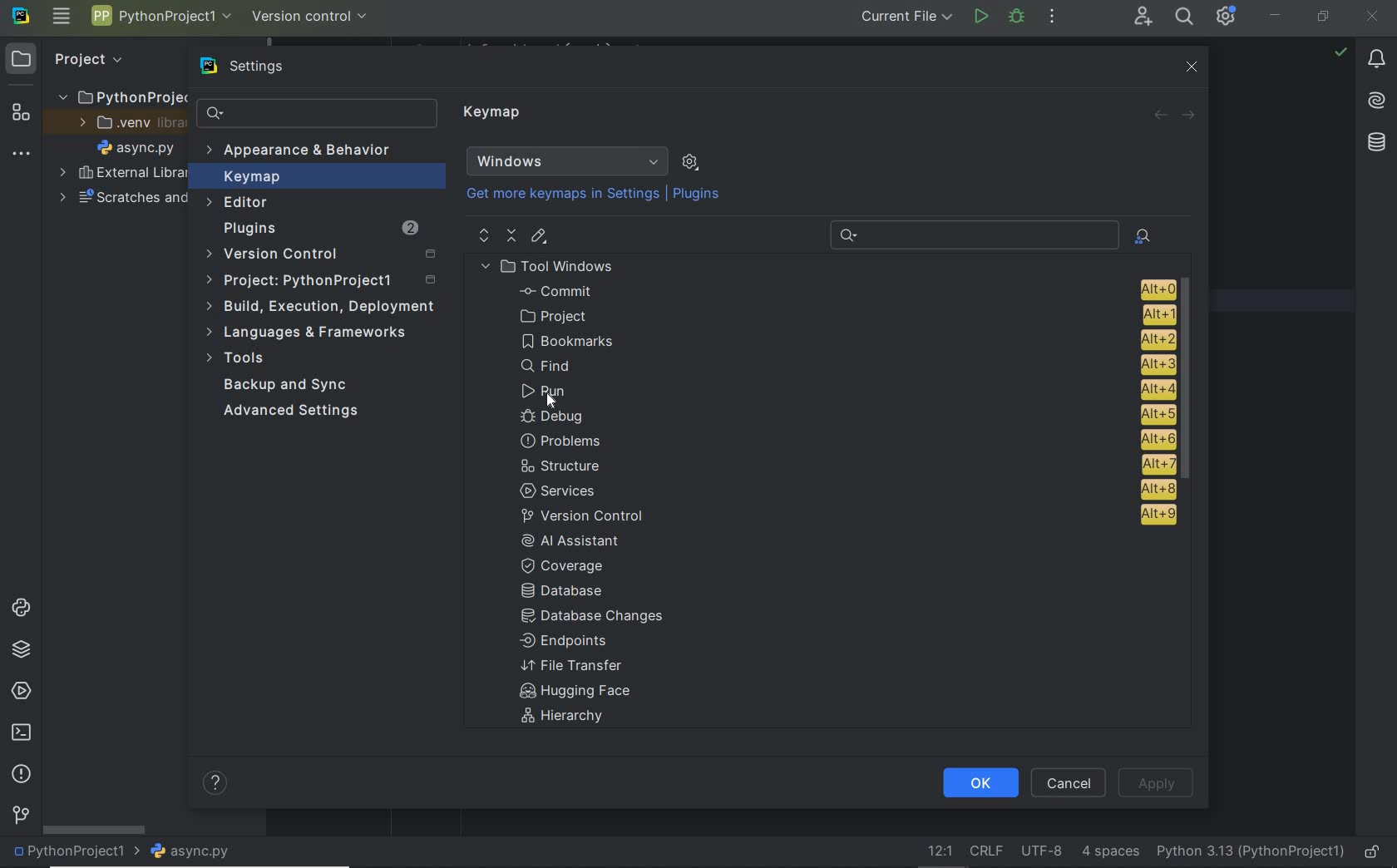 The width and height of the screenshot is (1397, 868). Describe the element at coordinates (1276, 15) in the screenshot. I see `minimize` at that location.